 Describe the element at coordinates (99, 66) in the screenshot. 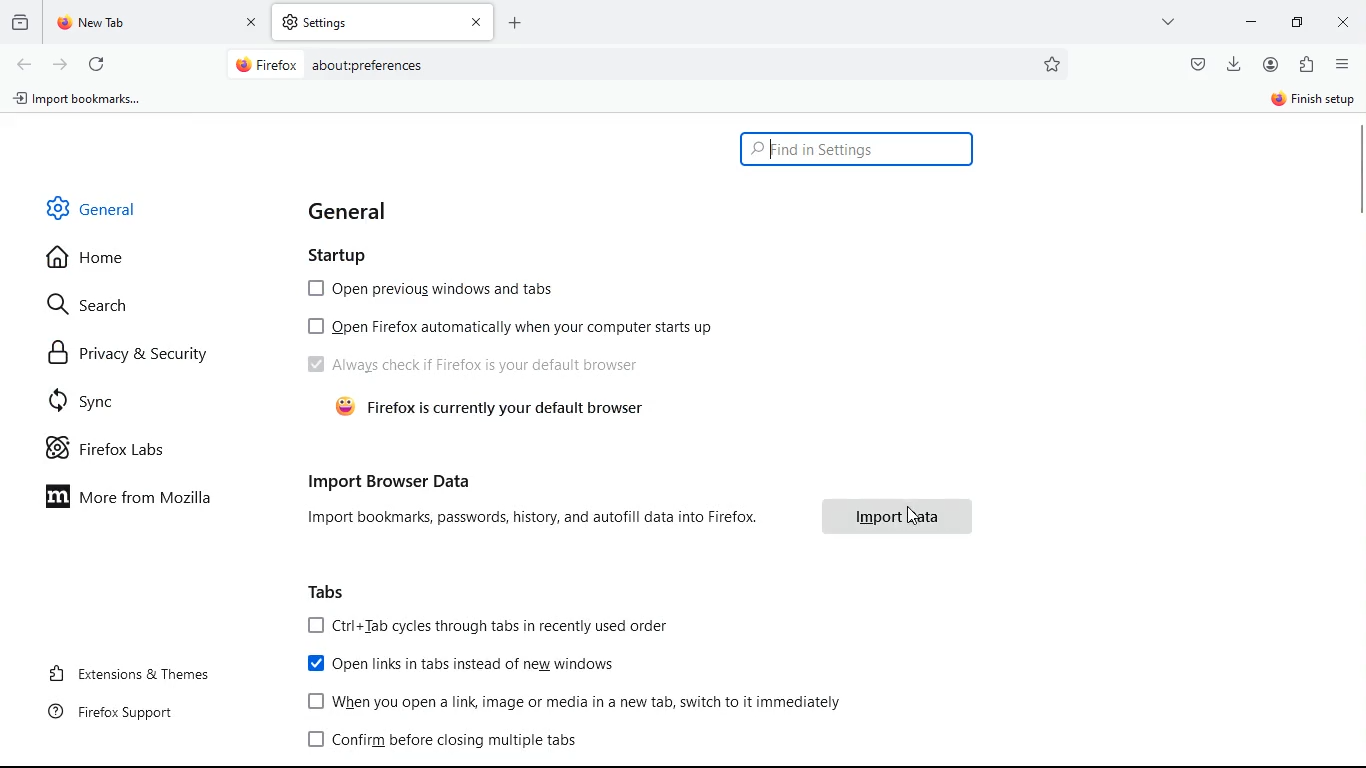

I see `refresh` at that location.